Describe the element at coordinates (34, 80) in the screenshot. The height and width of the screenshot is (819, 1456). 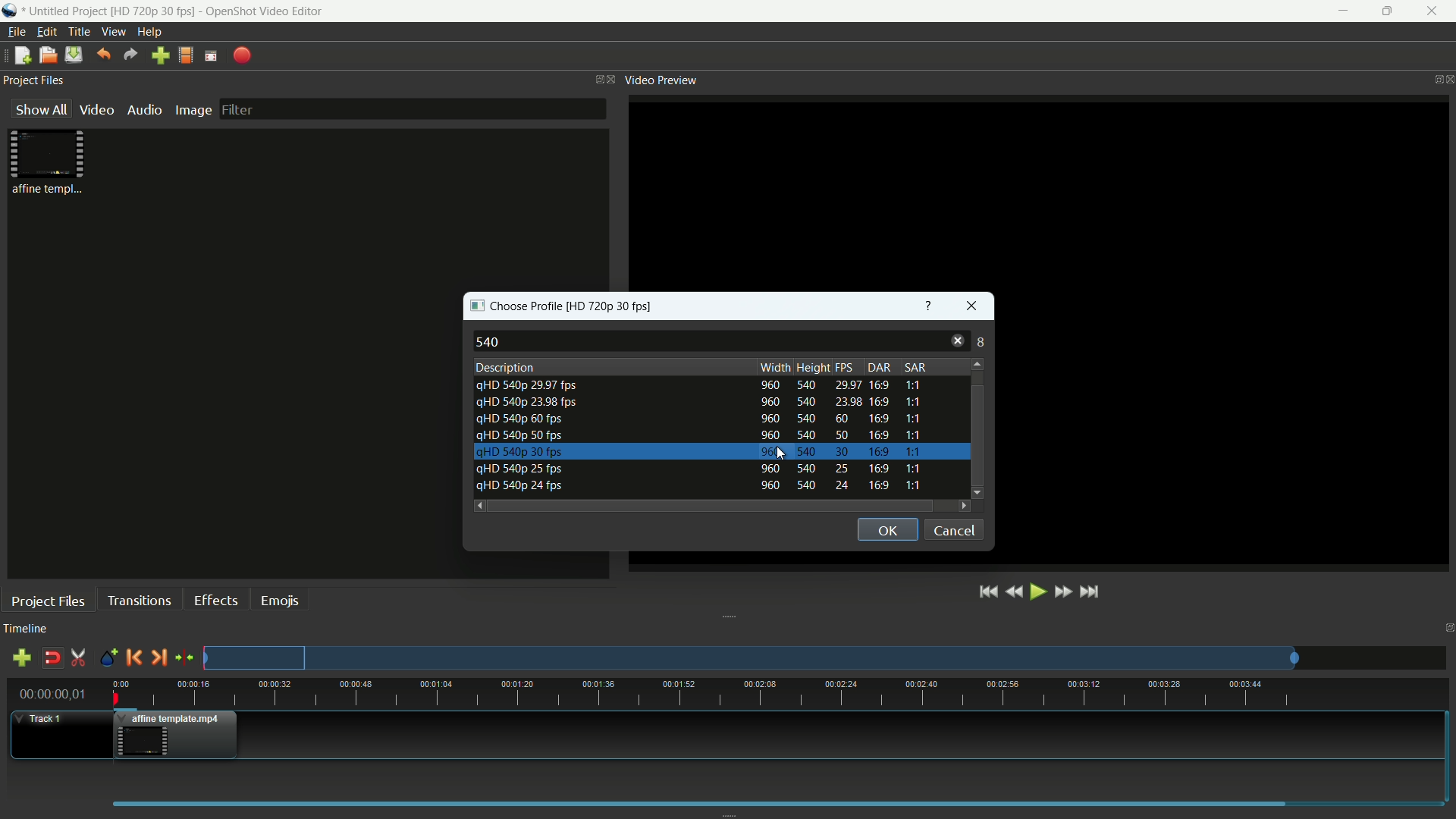
I see `project files` at that location.